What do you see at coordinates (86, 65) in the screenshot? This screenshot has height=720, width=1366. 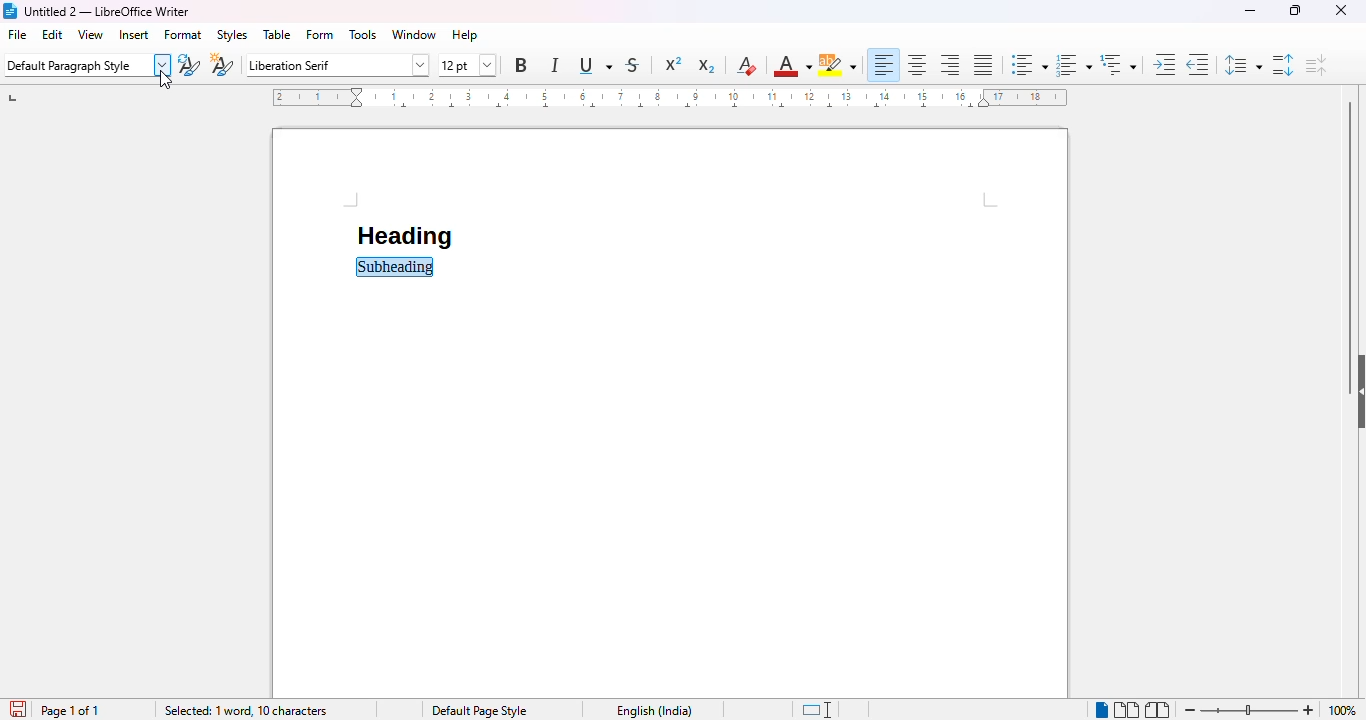 I see `set paragraph style` at bounding box center [86, 65].